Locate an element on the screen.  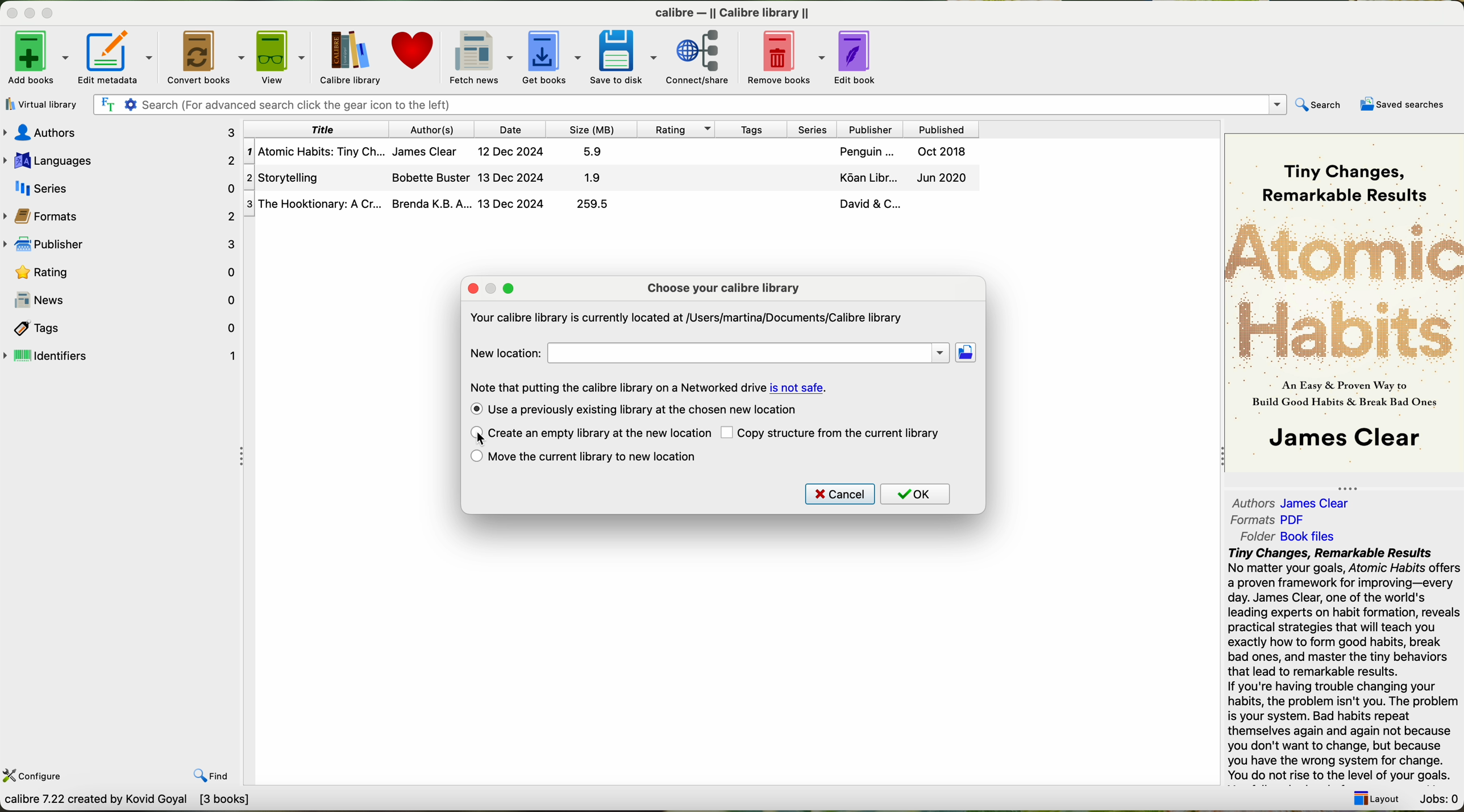
click on calibre library is located at coordinates (348, 57).